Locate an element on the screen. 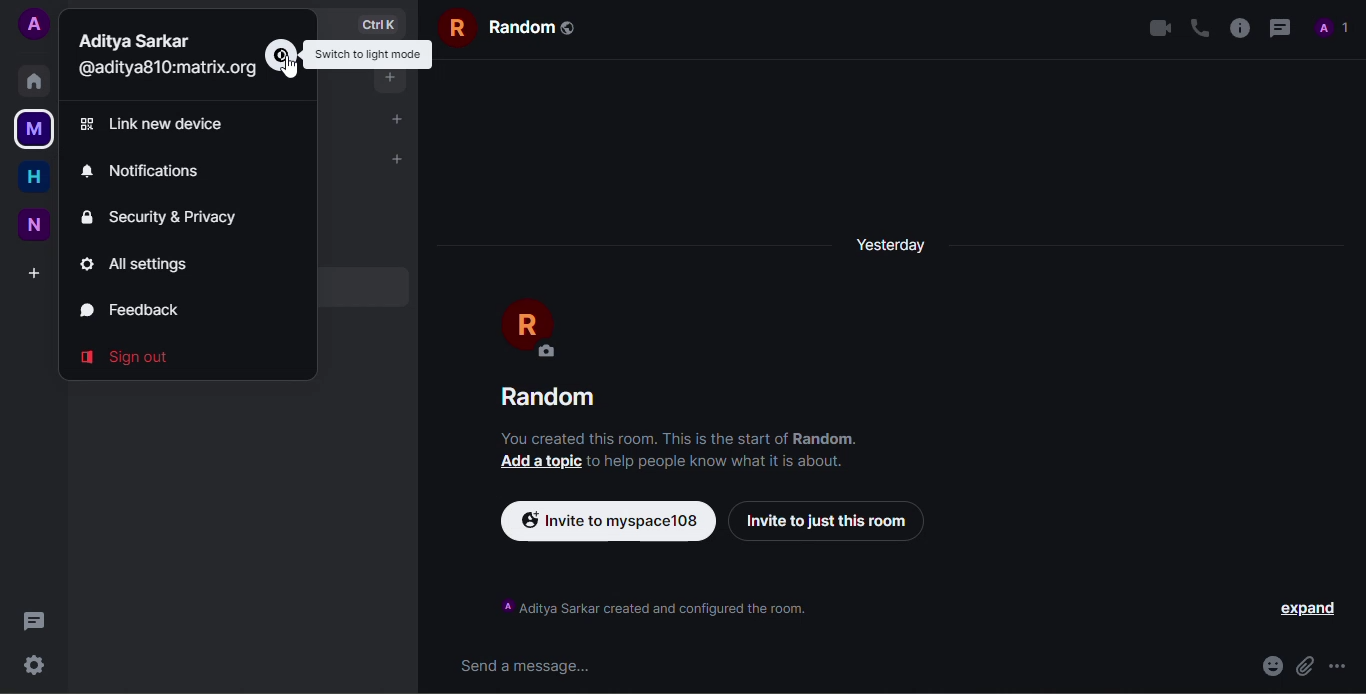 The height and width of the screenshot is (694, 1366). security is located at coordinates (169, 216).